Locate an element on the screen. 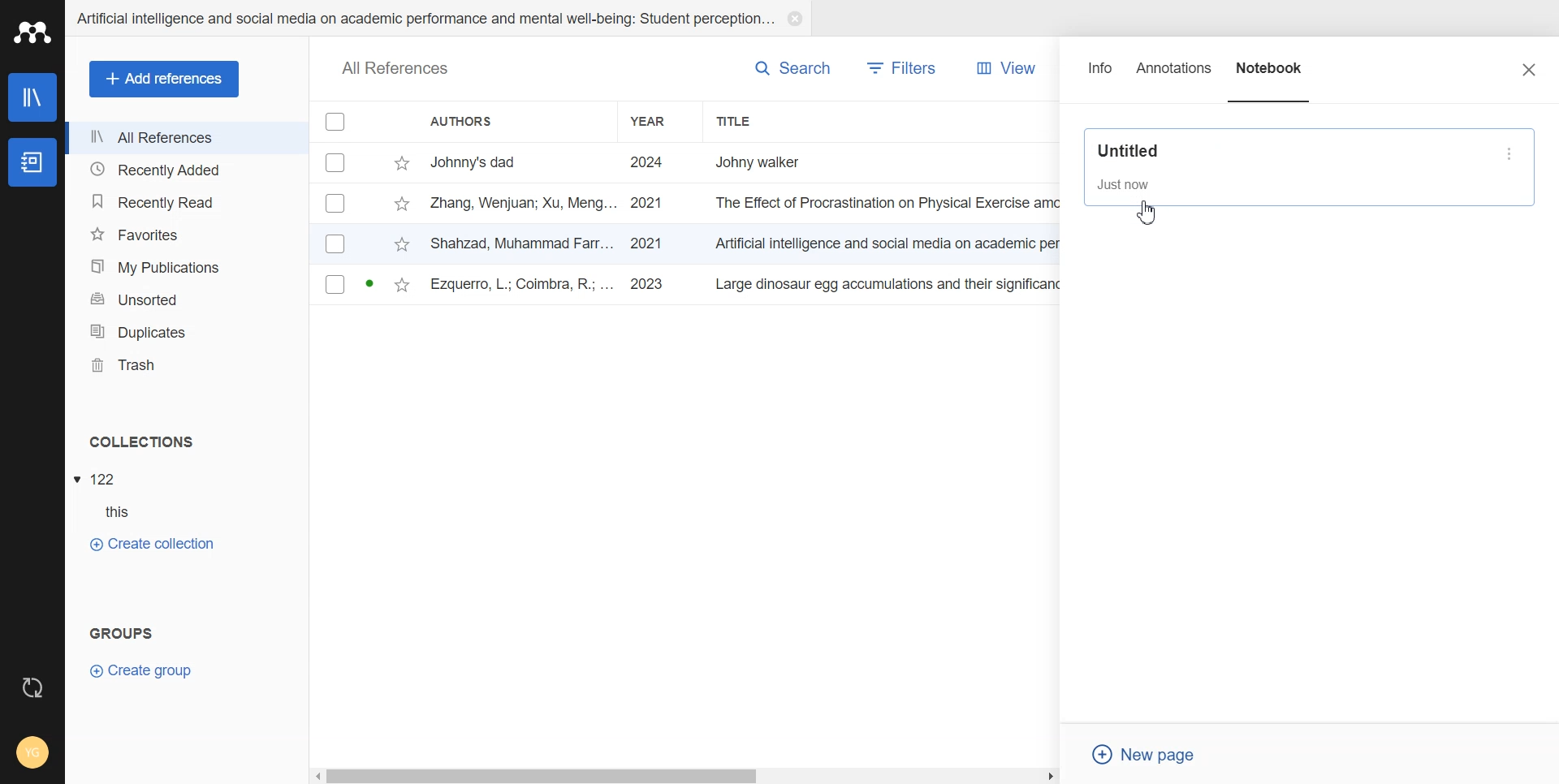 This screenshot has height=784, width=1559. Collections is located at coordinates (188, 442).